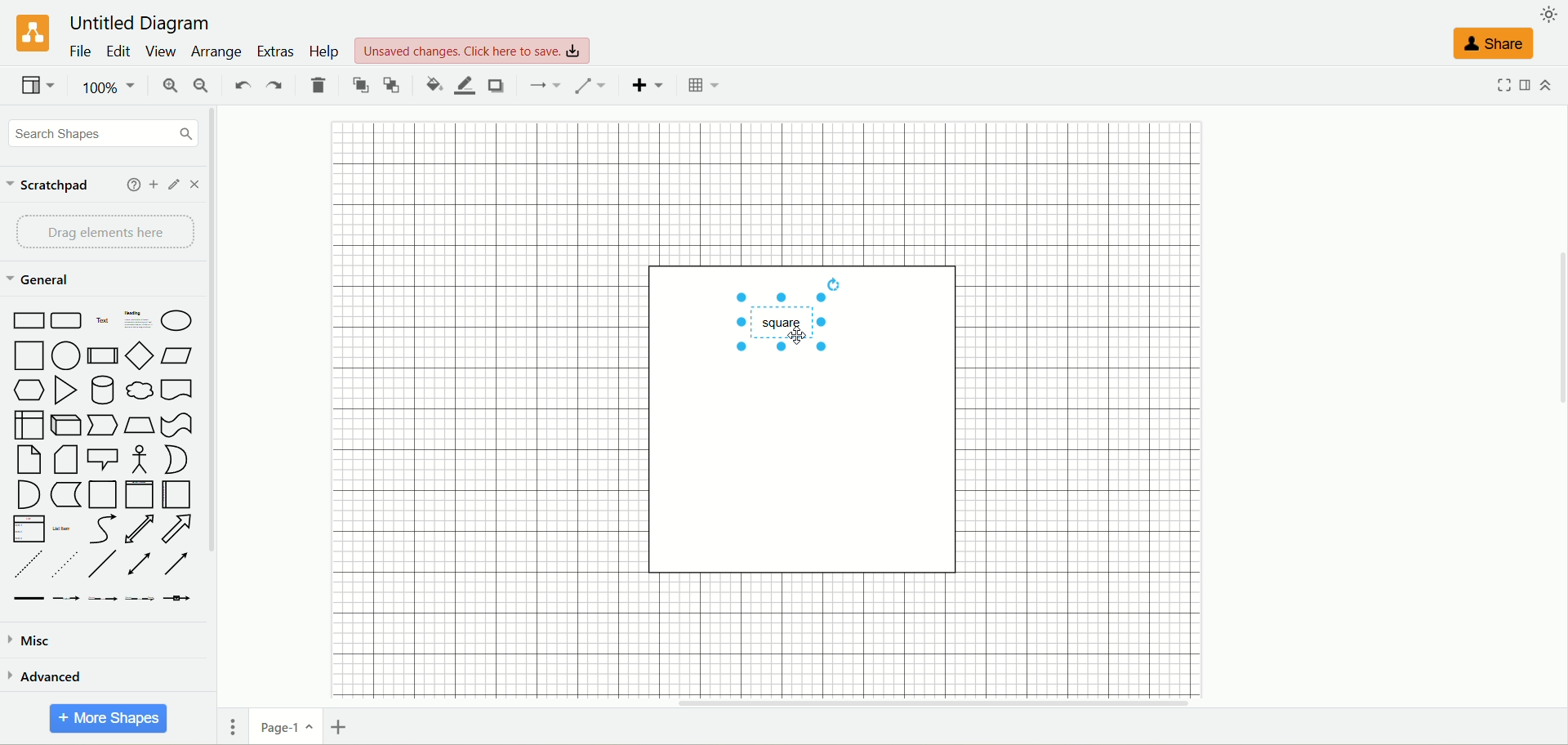 This screenshot has height=745, width=1568. I want to click on text, so click(476, 51).